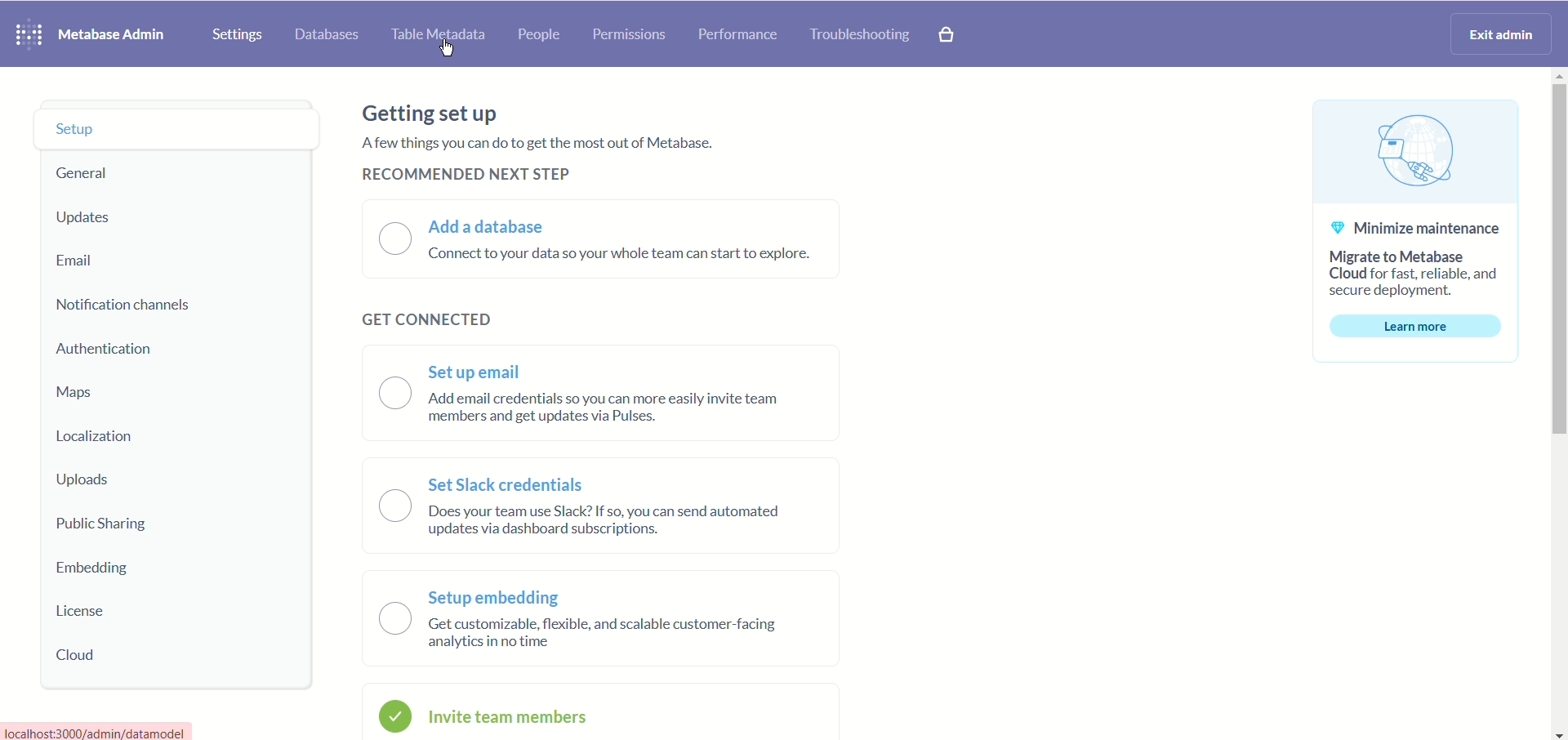  What do you see at coordinates (736, 35) in the screenshot?
I see `Performance` at bounding box center [736, 35].